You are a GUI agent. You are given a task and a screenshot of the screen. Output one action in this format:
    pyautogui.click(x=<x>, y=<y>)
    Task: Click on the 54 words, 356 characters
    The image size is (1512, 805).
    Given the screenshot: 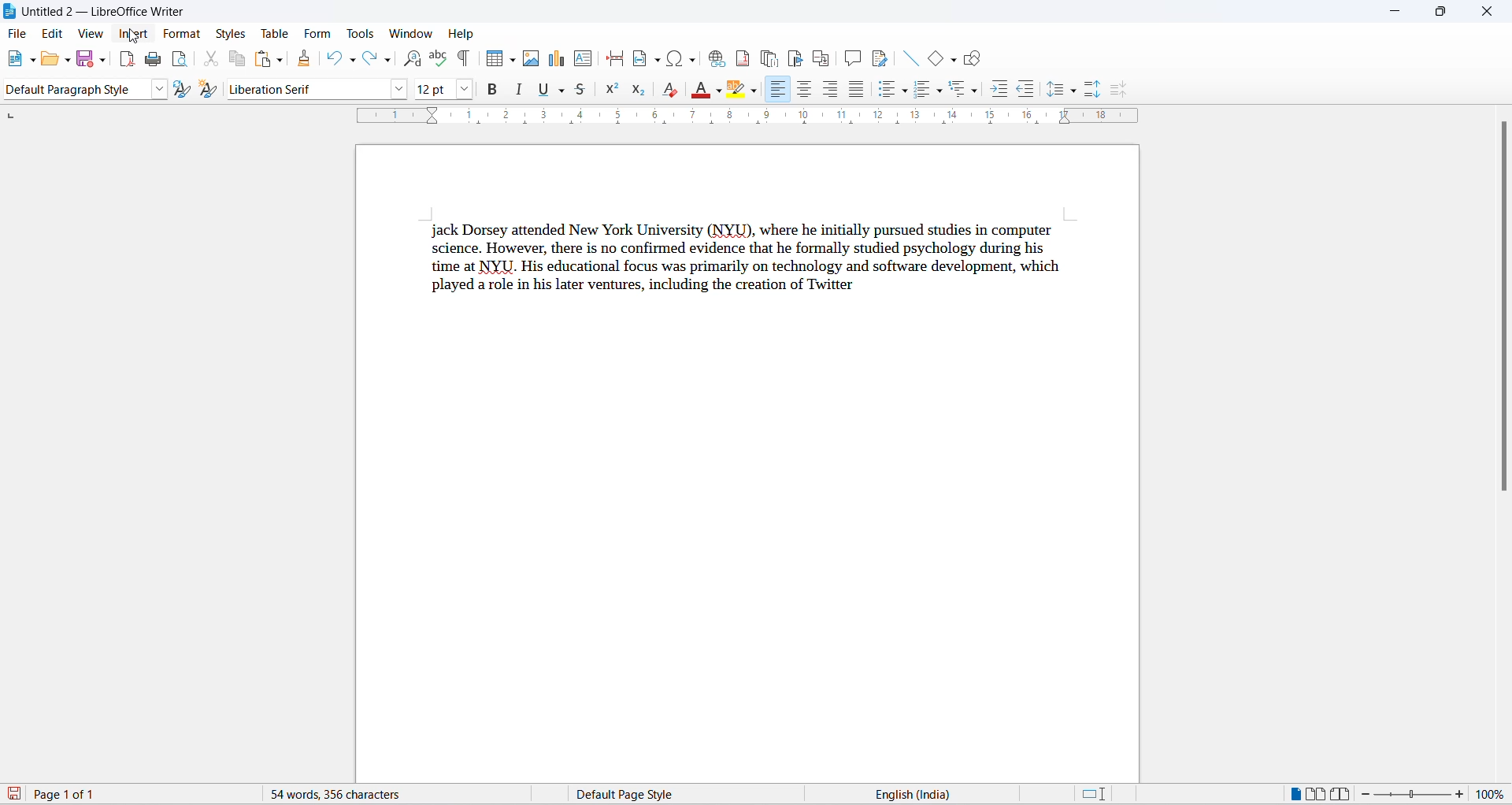 What is the action you would take?
    pyautogui.click(x=379, y=795)
    